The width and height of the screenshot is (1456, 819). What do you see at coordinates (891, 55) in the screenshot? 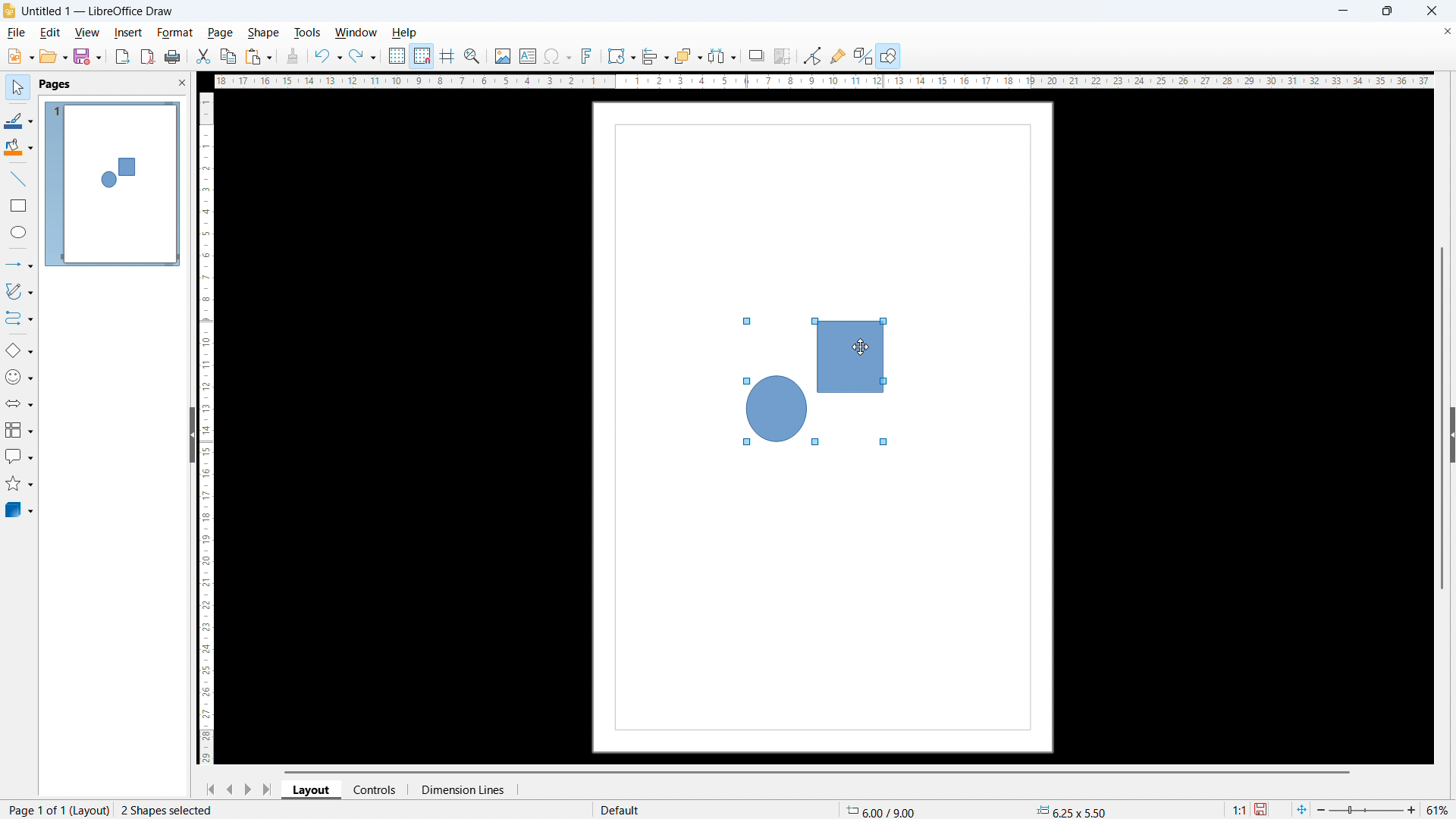
I see `open draw functions` at bounding box center [891, 55].